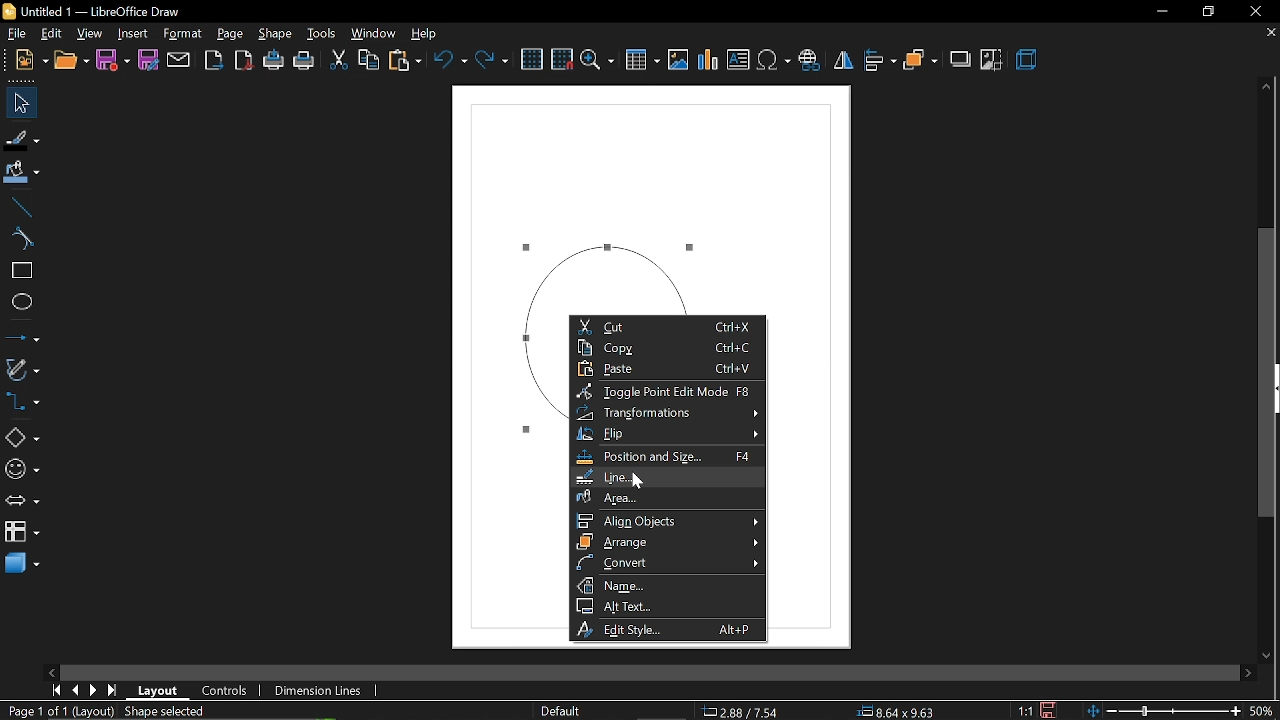  What do you see at coordinates (51, 673) in the screenshot?
I see `move left` at bounding box center [51, 673].